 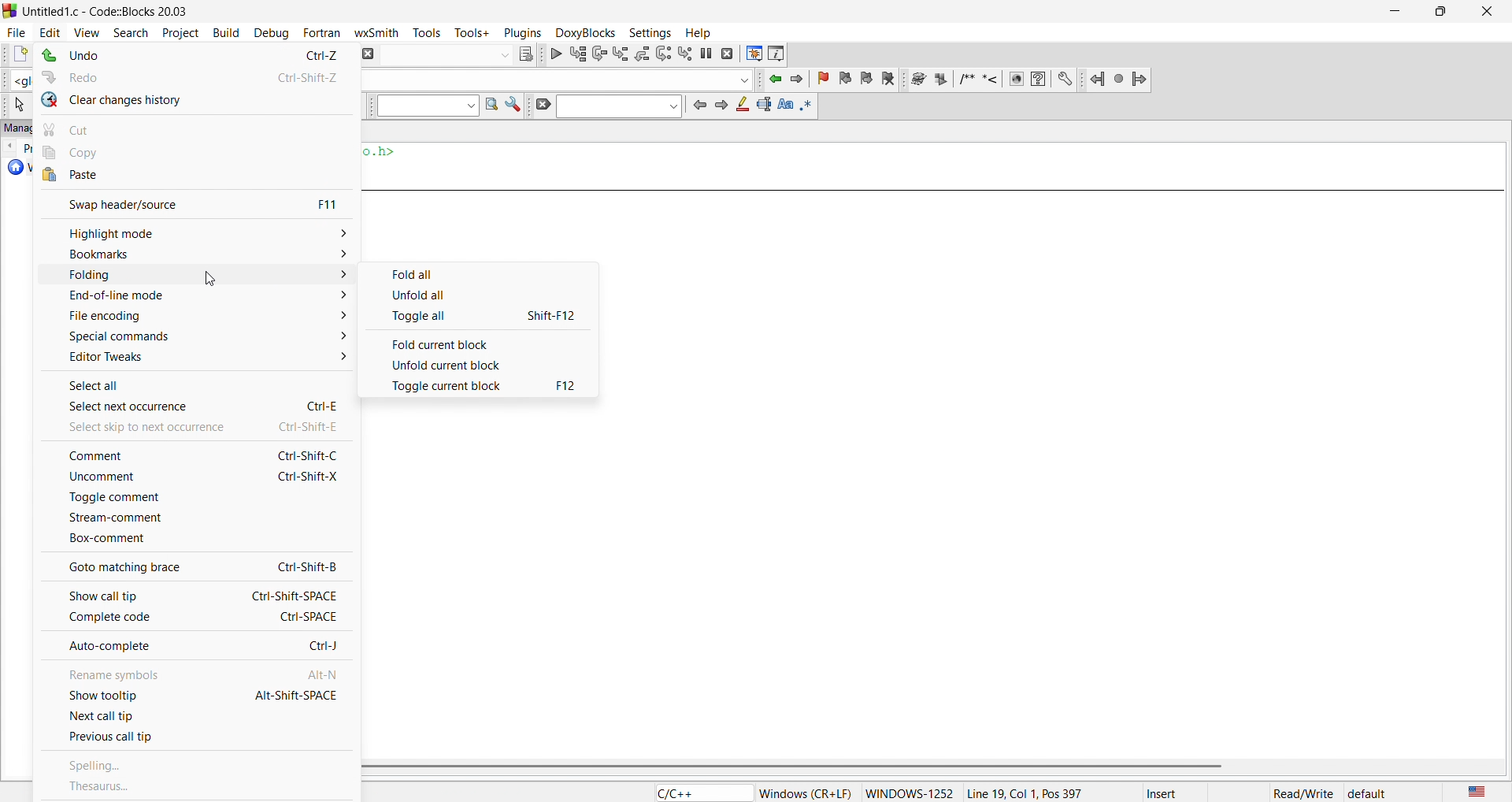 I want to click on comment, so click(x=192, y=455).